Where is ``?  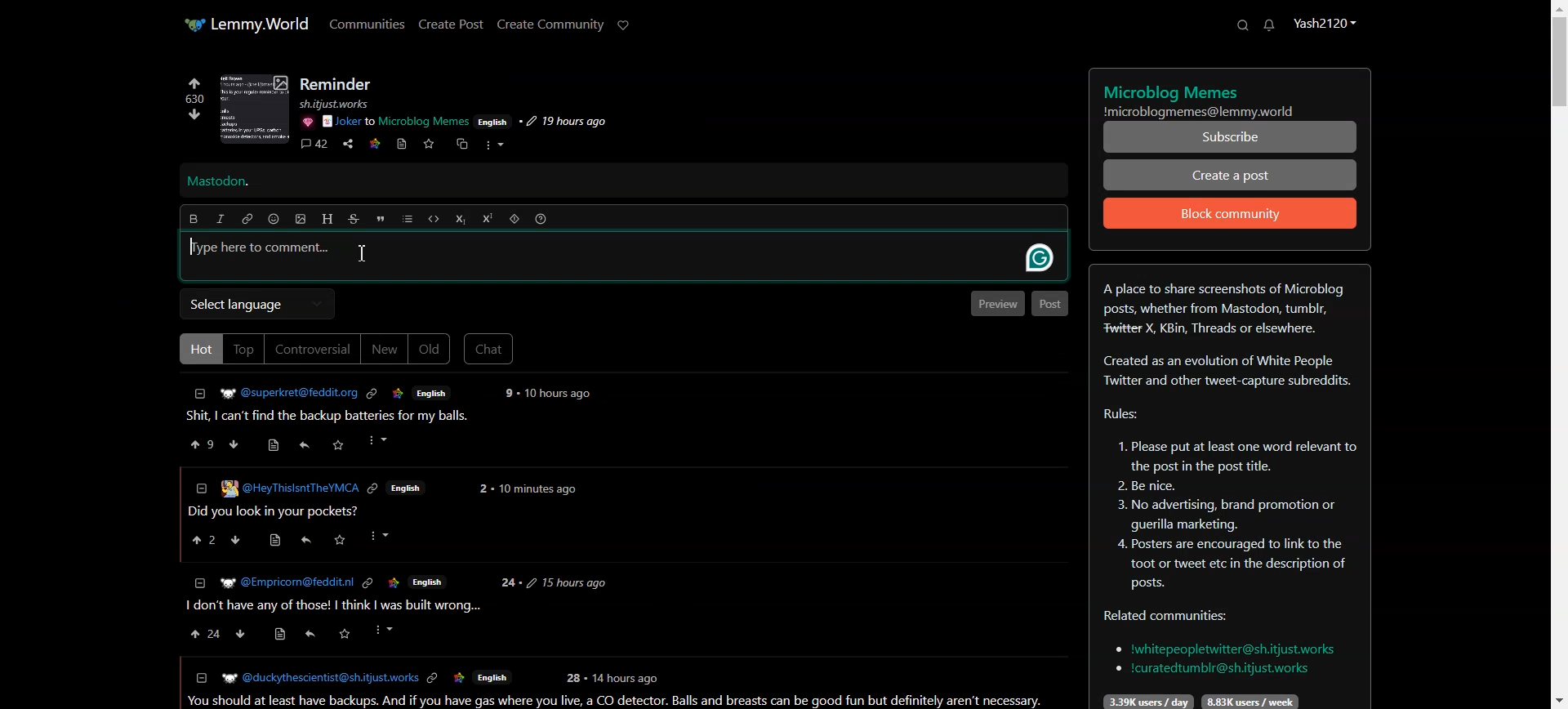  is located at coordinates (344, 104).